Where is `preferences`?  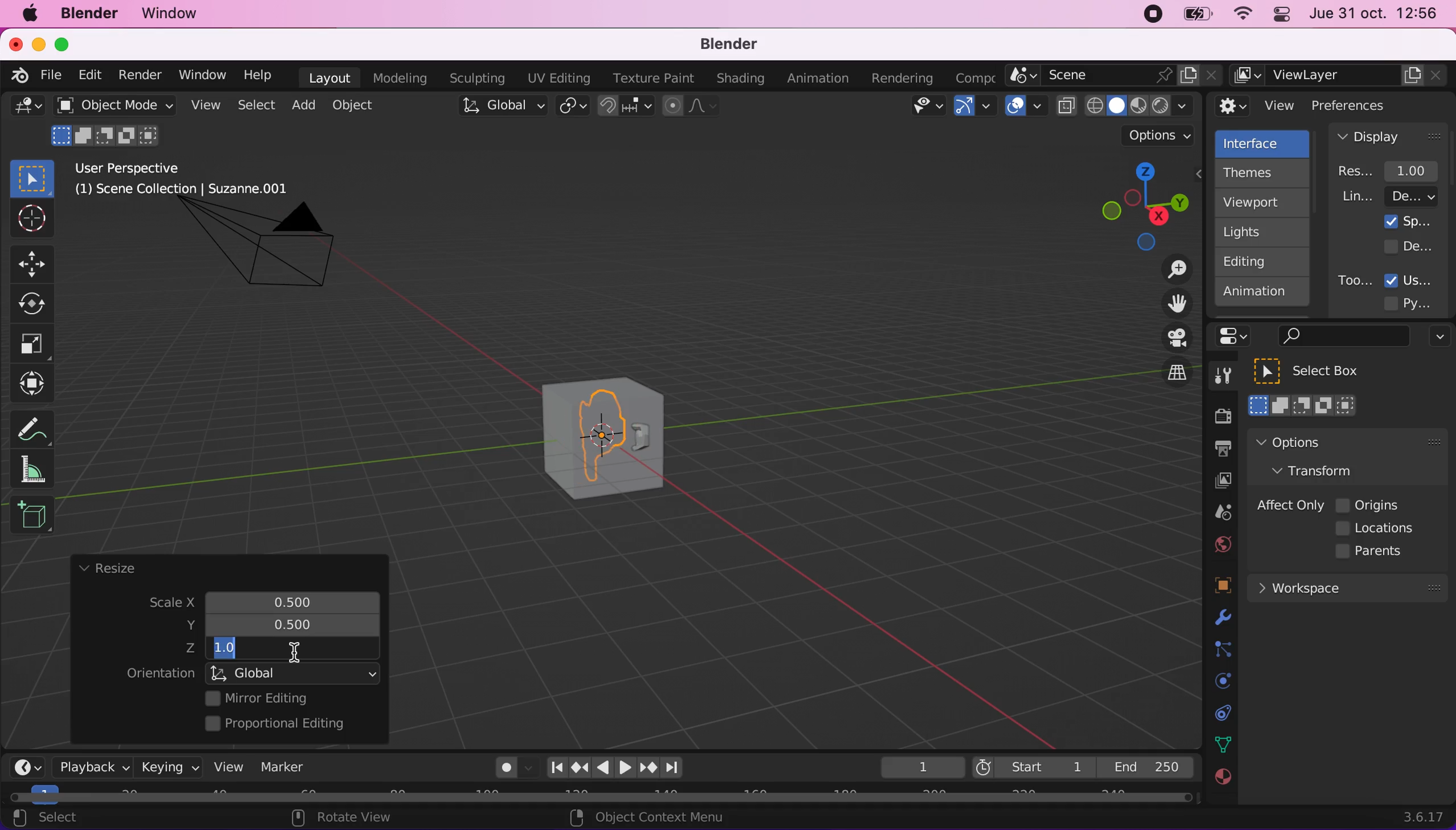
preferences is located at coordinates (1368, 105).